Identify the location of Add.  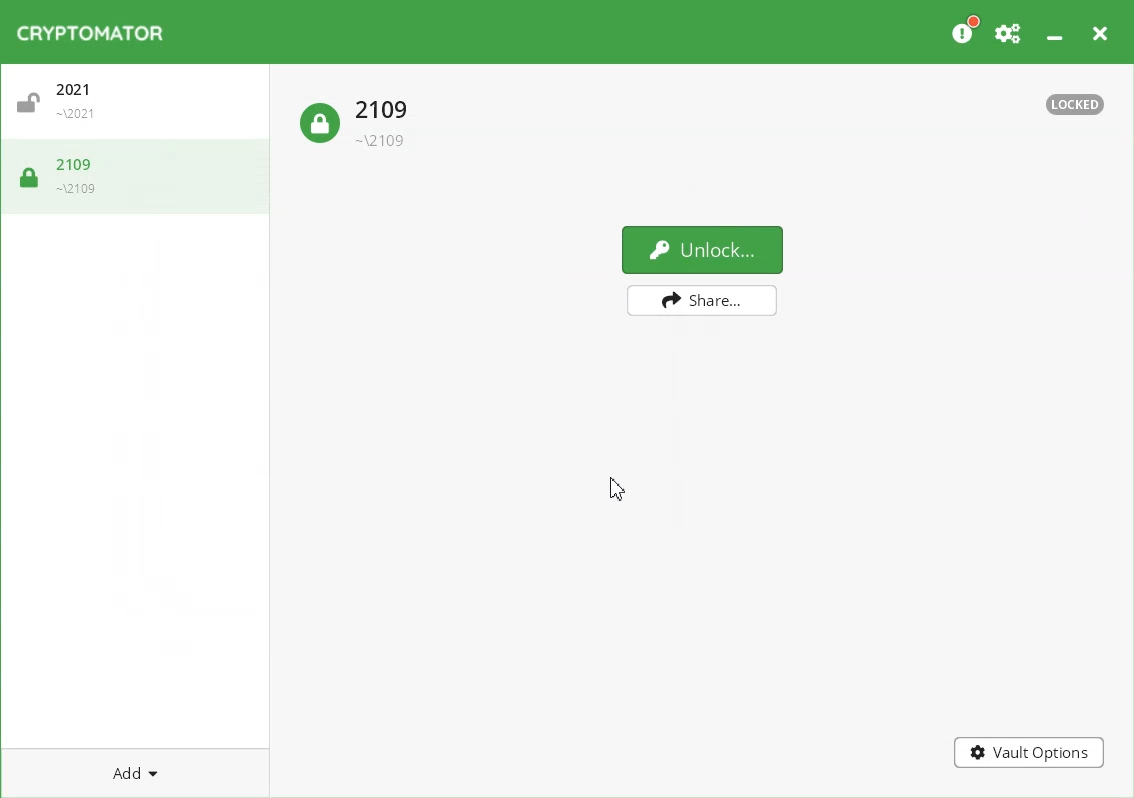
(136, 773).